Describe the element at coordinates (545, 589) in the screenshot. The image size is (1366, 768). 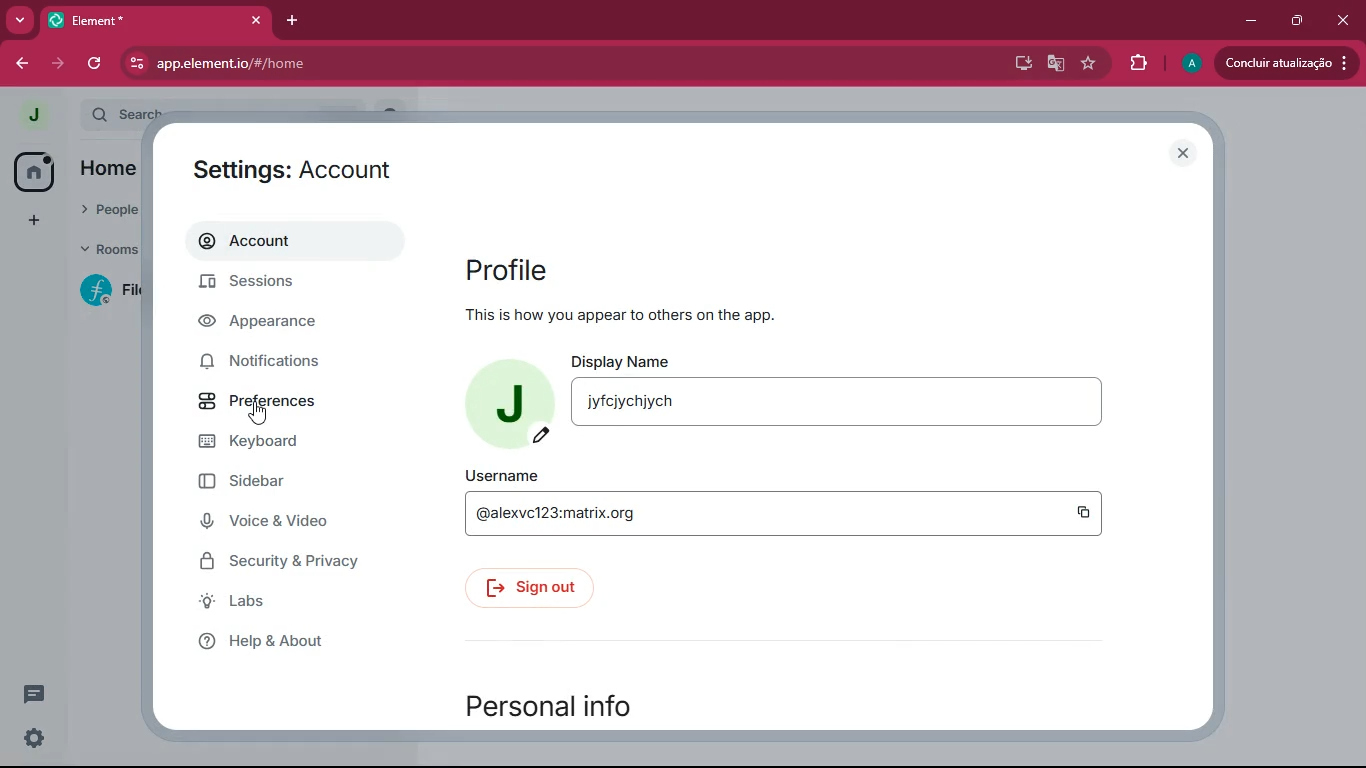
I see `sign out` at that location.